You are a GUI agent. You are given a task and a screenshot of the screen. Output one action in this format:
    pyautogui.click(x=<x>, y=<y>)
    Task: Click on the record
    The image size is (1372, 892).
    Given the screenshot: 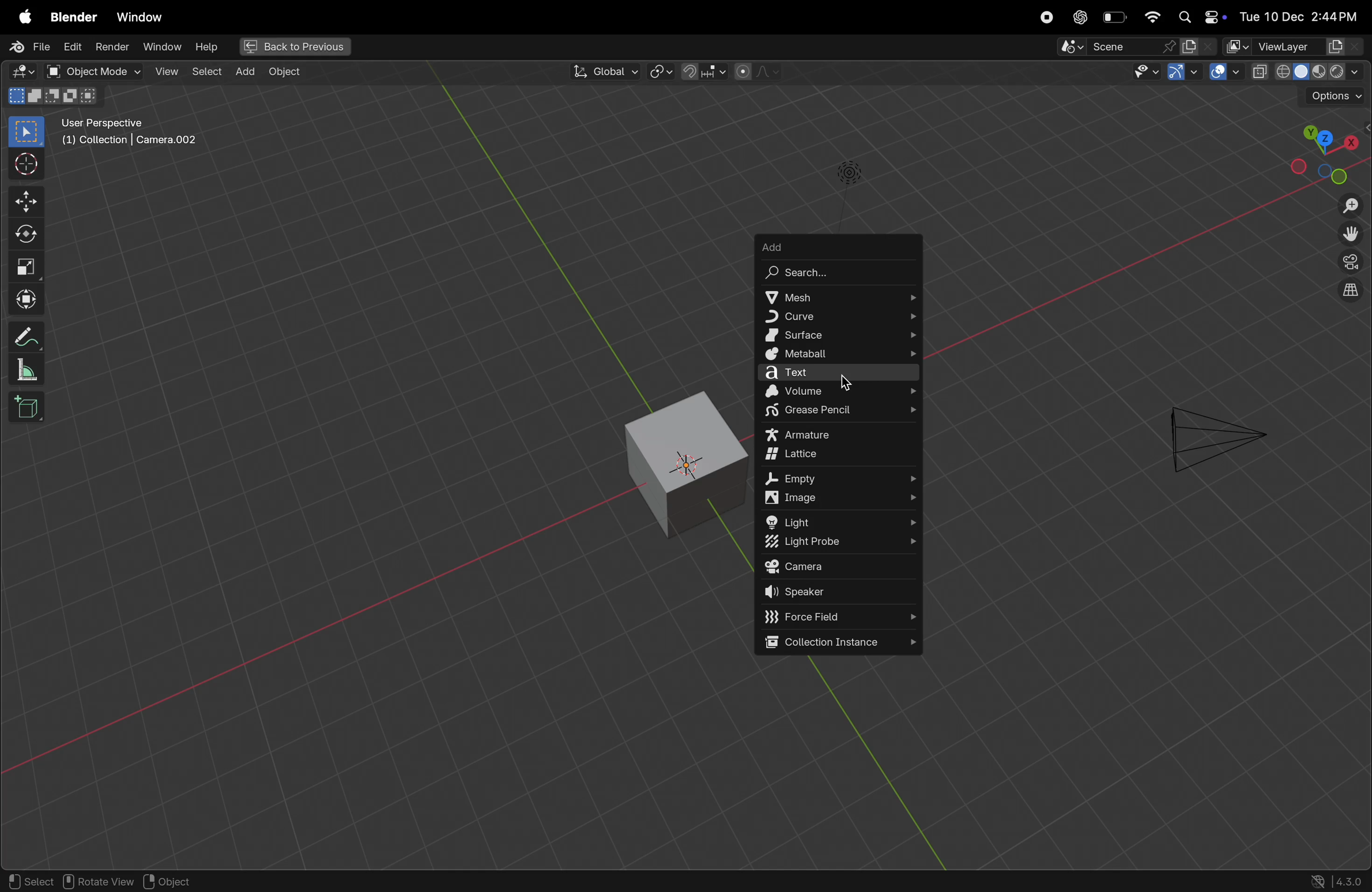 What is the action you would take?
    pyautogui.click(x=1045, y=17)
    